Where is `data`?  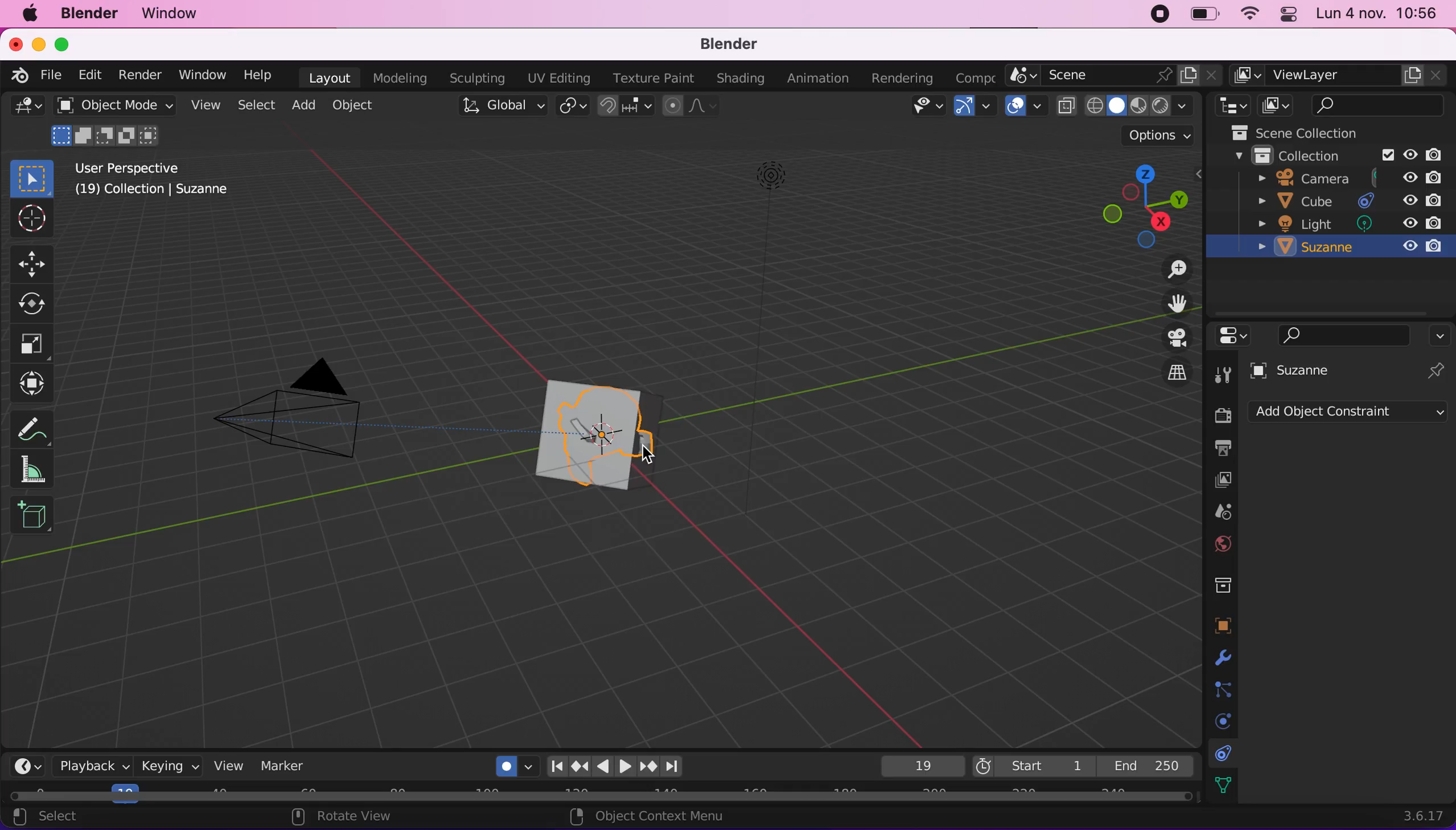 data is located at coordinates (1223, 783).